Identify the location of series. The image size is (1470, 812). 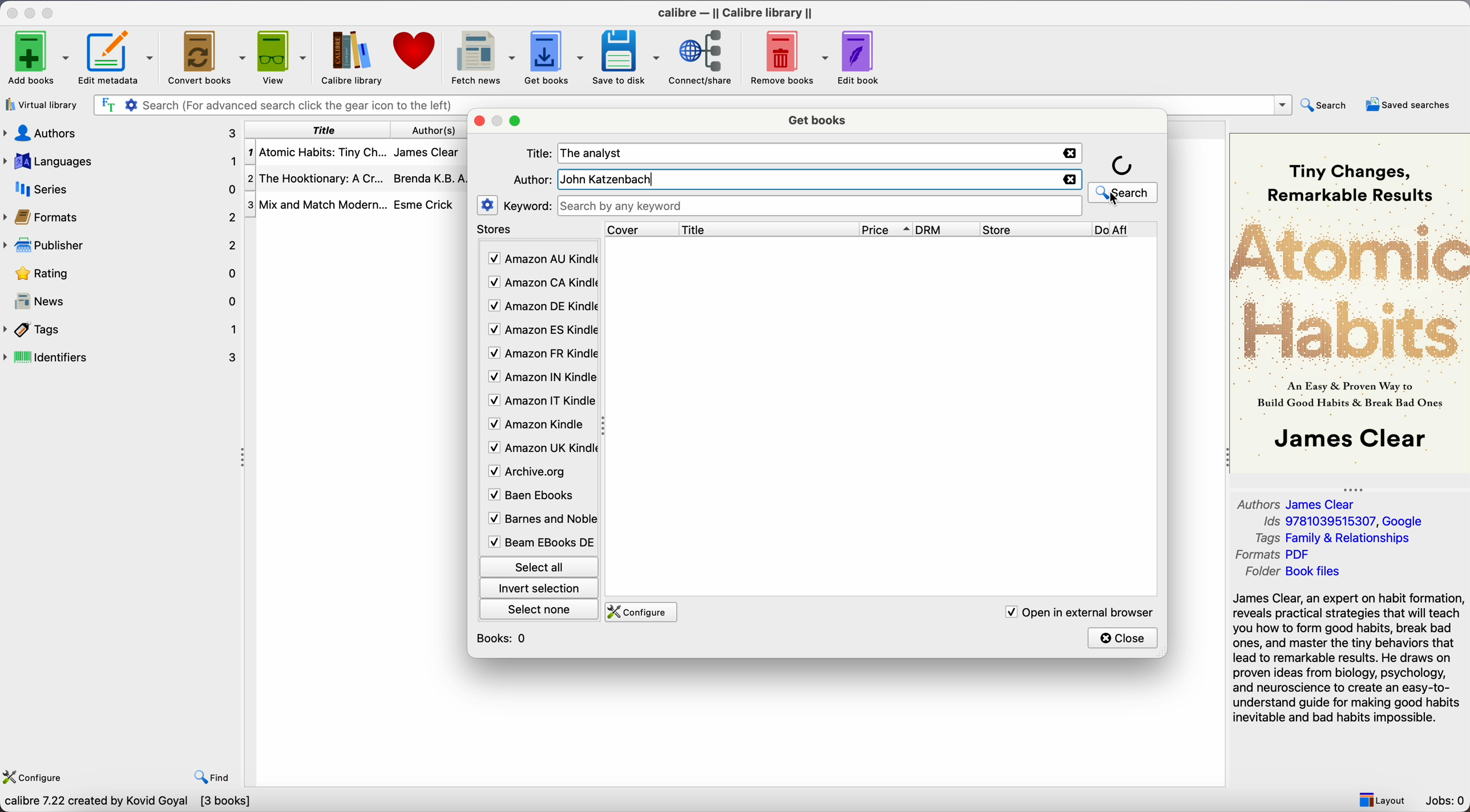
(120, 189).